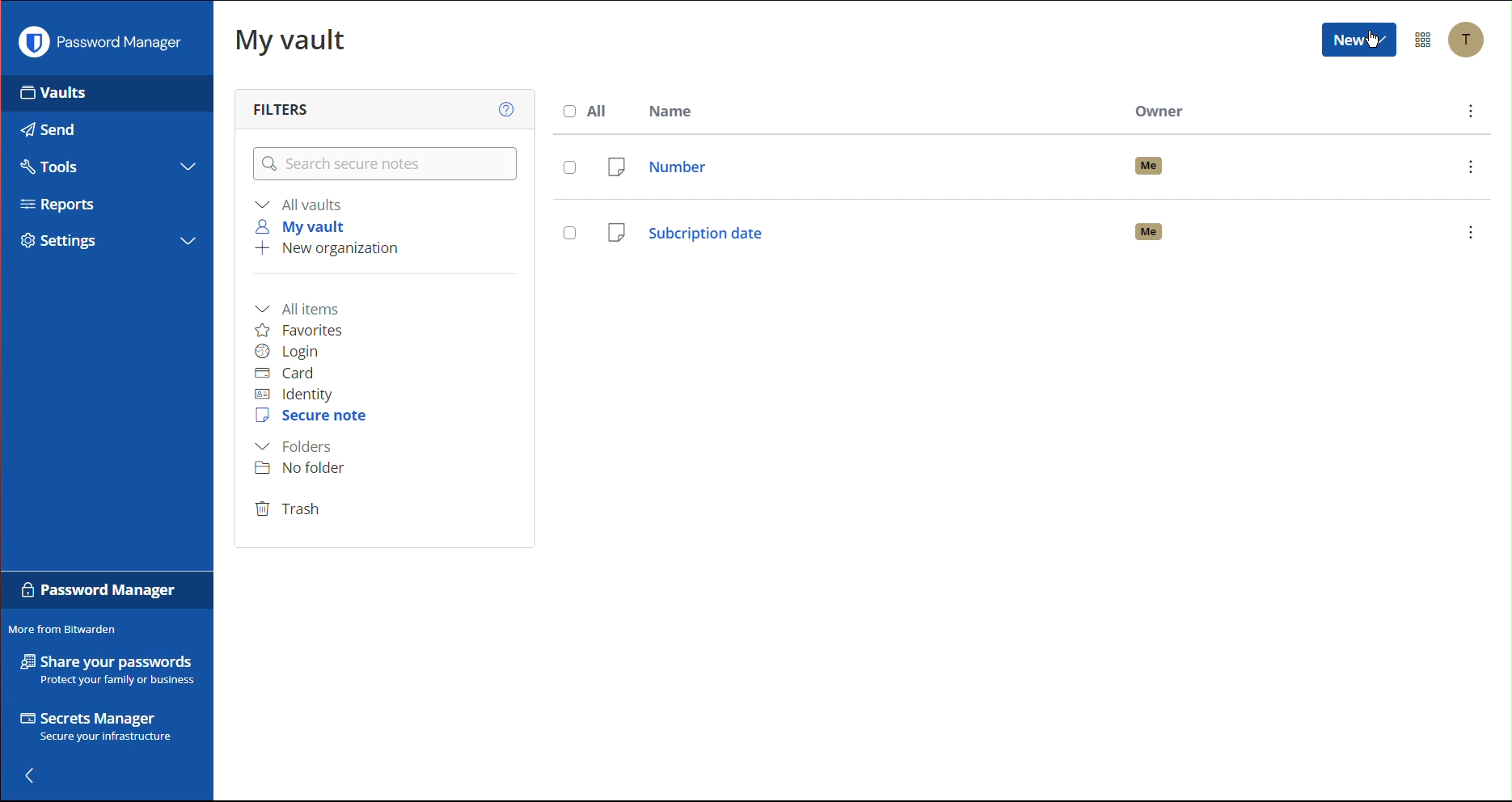  I want to click on Back, so click(39, 775).